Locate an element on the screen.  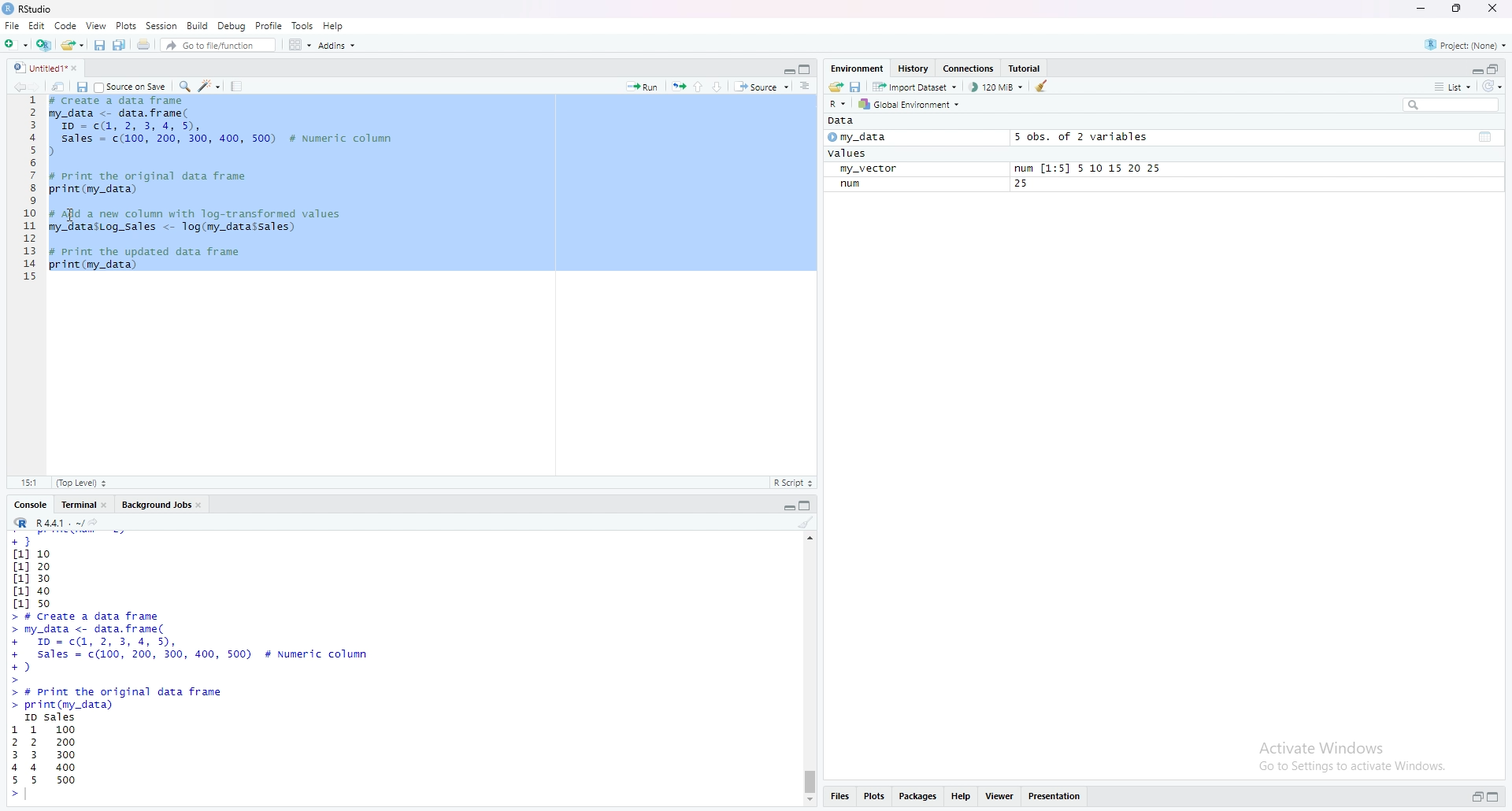
# create a data frame is located at coordinates (126, 102).